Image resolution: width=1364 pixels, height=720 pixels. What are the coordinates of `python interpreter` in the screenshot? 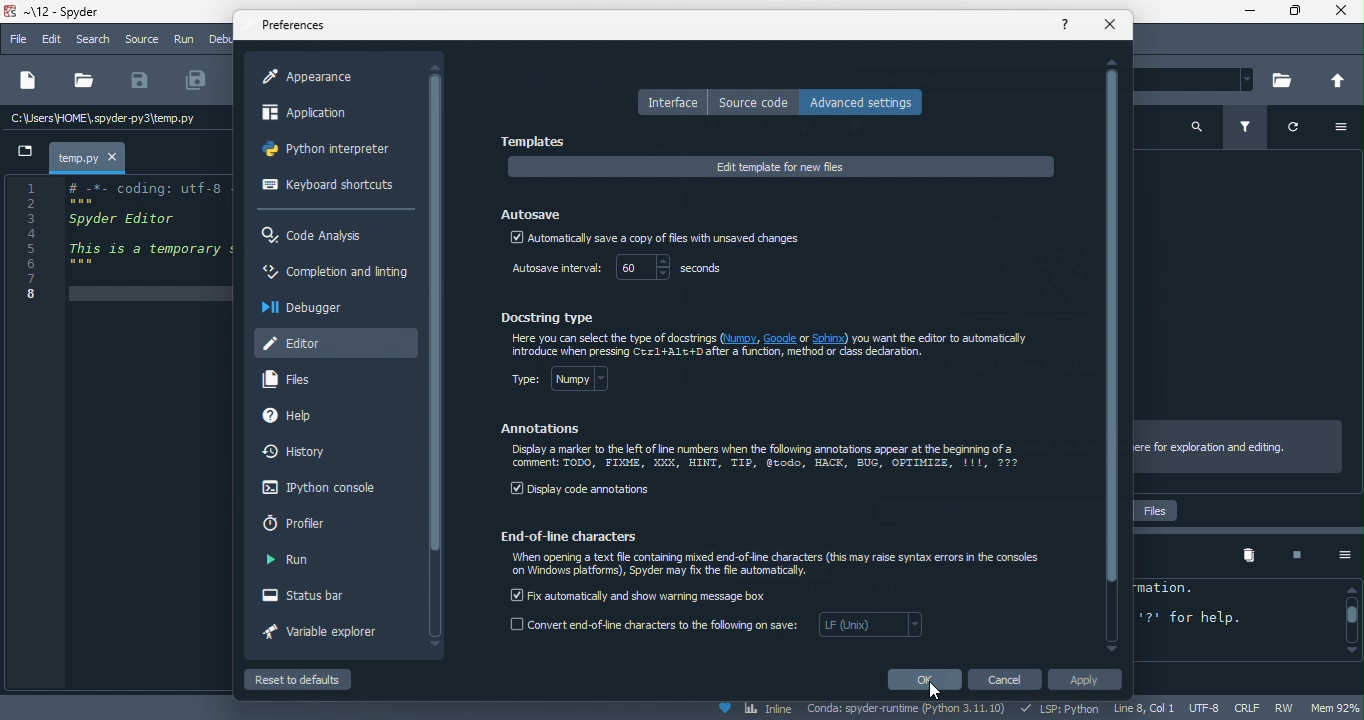 It's located at (332, 153).